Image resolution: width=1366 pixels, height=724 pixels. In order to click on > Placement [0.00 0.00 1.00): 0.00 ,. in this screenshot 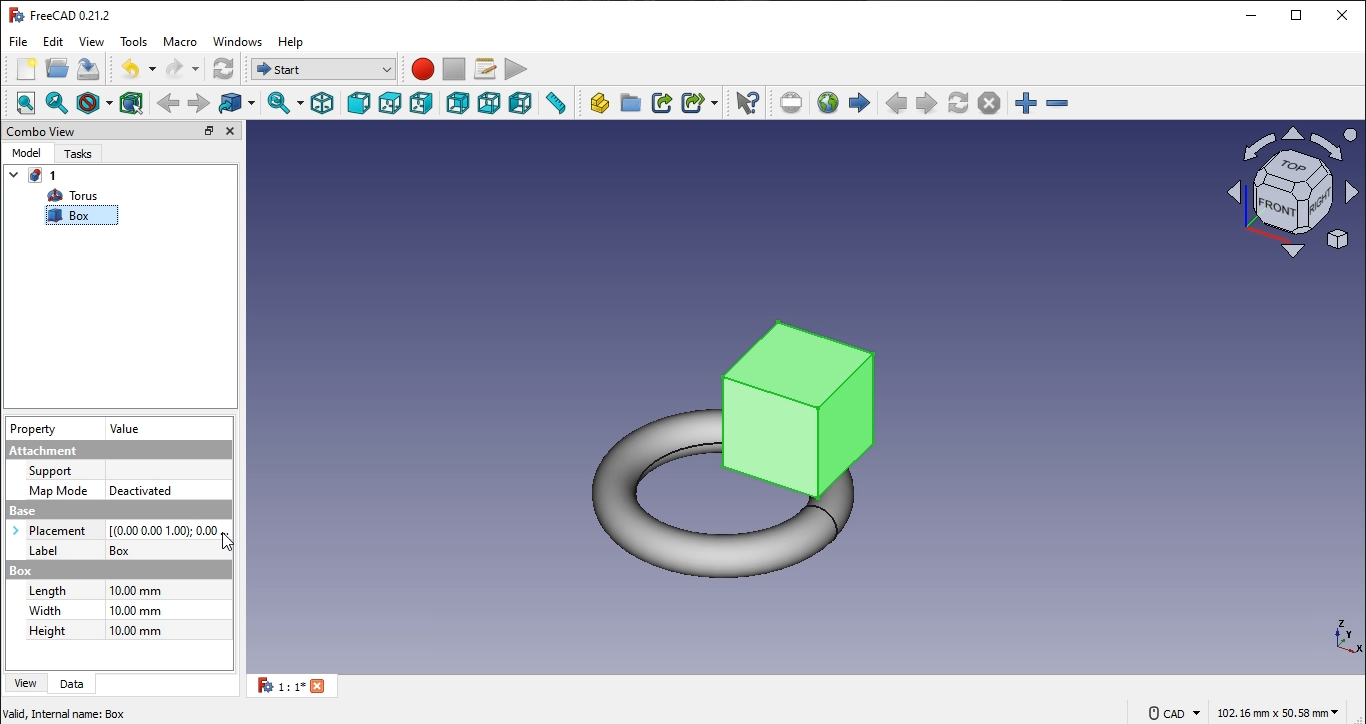, I will do `click(117, 530)`.